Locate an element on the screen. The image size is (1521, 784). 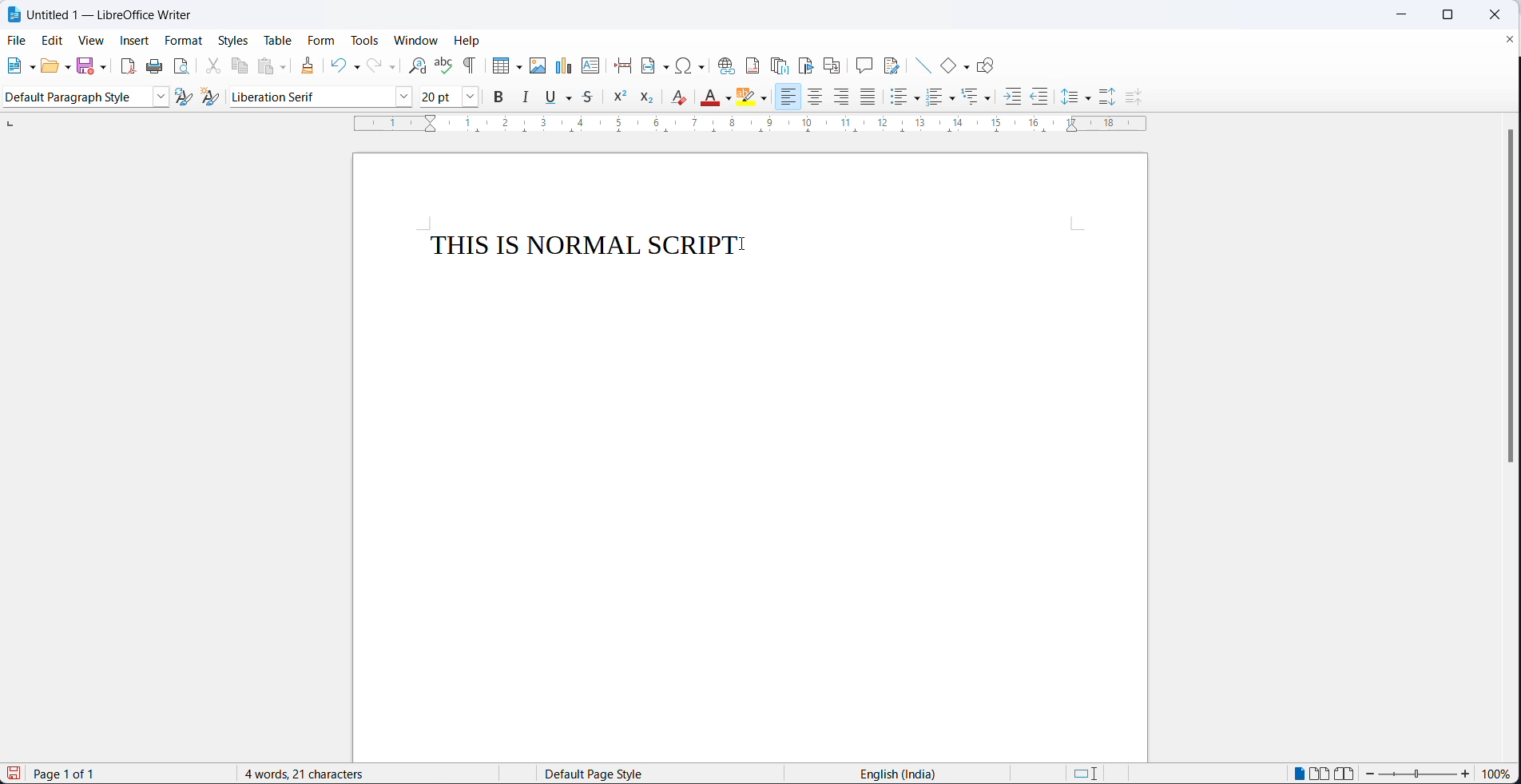
close document is located at coordinates (1508, 38).